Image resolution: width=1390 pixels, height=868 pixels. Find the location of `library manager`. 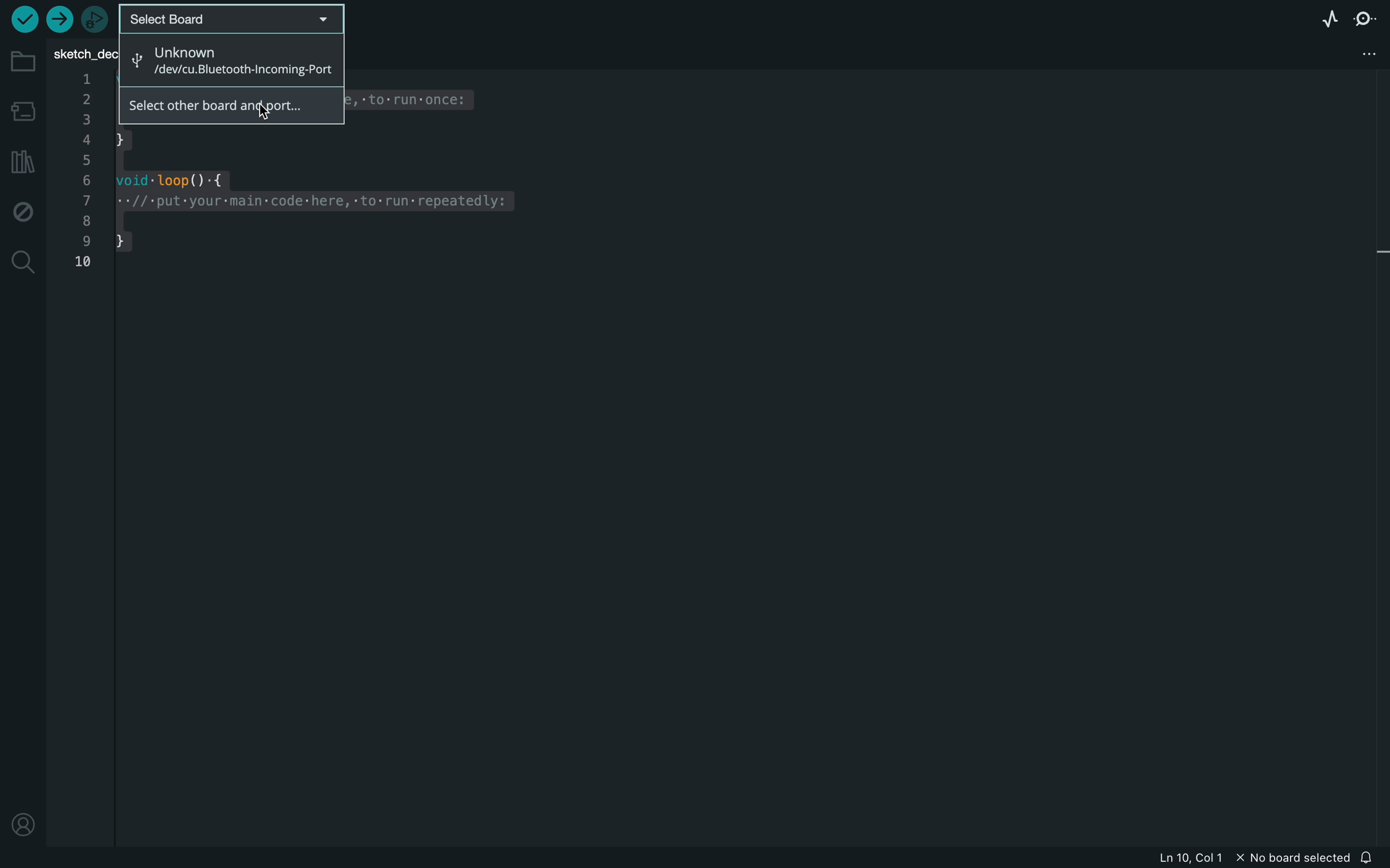

library manager is located at coordinates (22, 161).